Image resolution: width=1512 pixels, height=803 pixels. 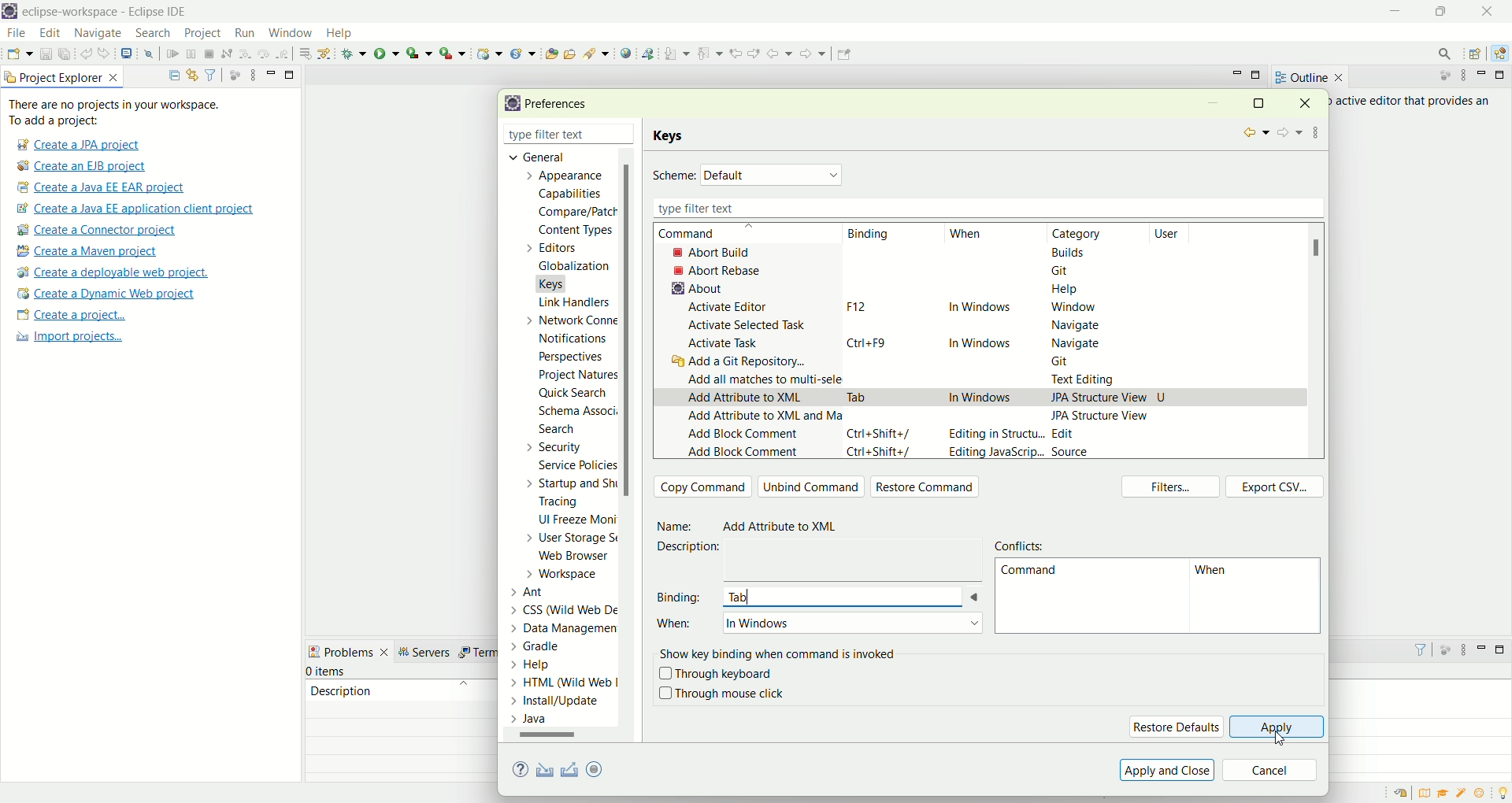 What do you see at coordinates (554, 627) in the screenshot?
I see ` Data Management` at bounding box center [554, 627].